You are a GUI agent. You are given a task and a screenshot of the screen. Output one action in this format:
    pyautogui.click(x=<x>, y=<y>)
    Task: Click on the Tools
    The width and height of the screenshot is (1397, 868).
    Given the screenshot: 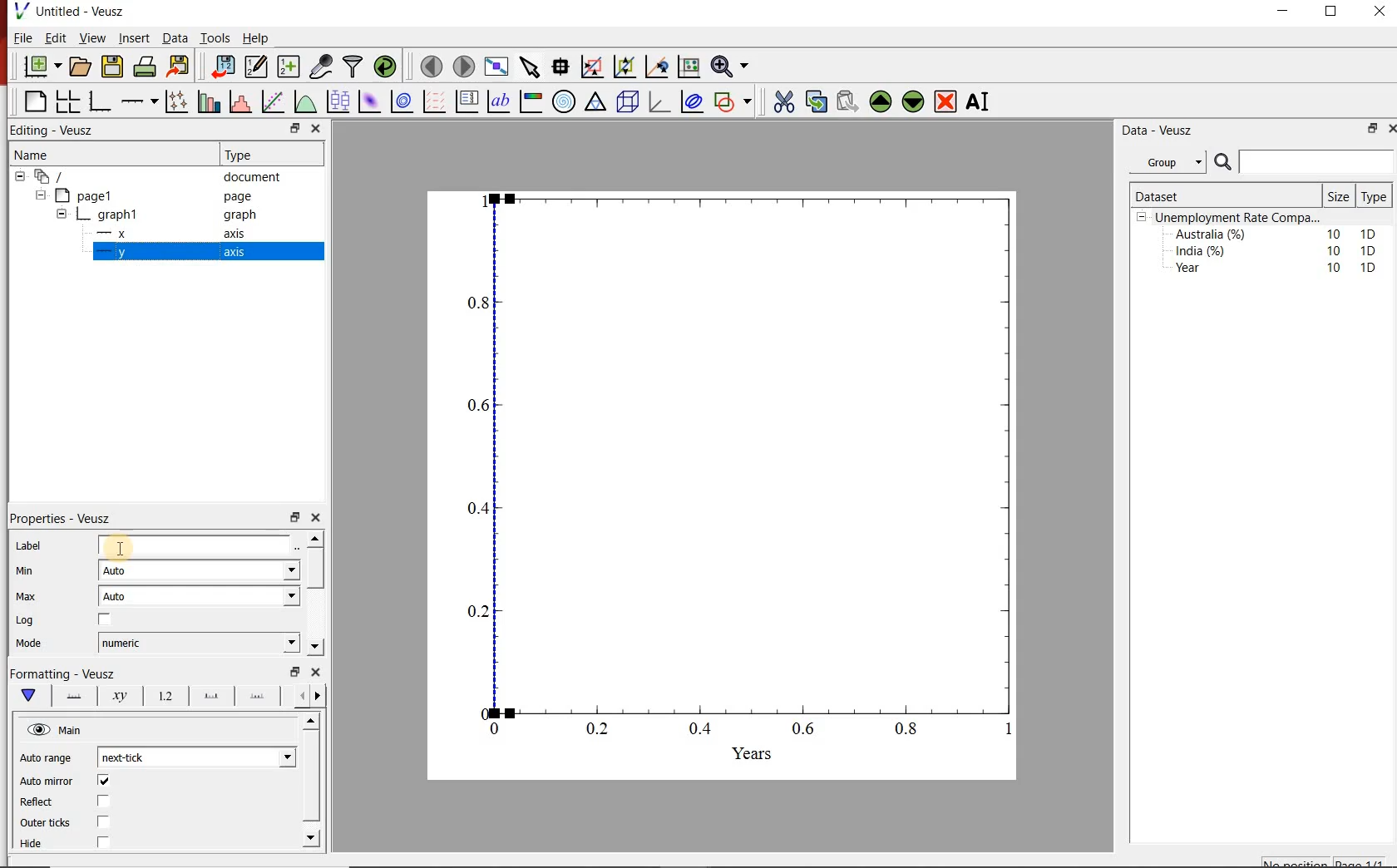 What is the action you would take?
    pyautogui.click(x=216, y=37)
    